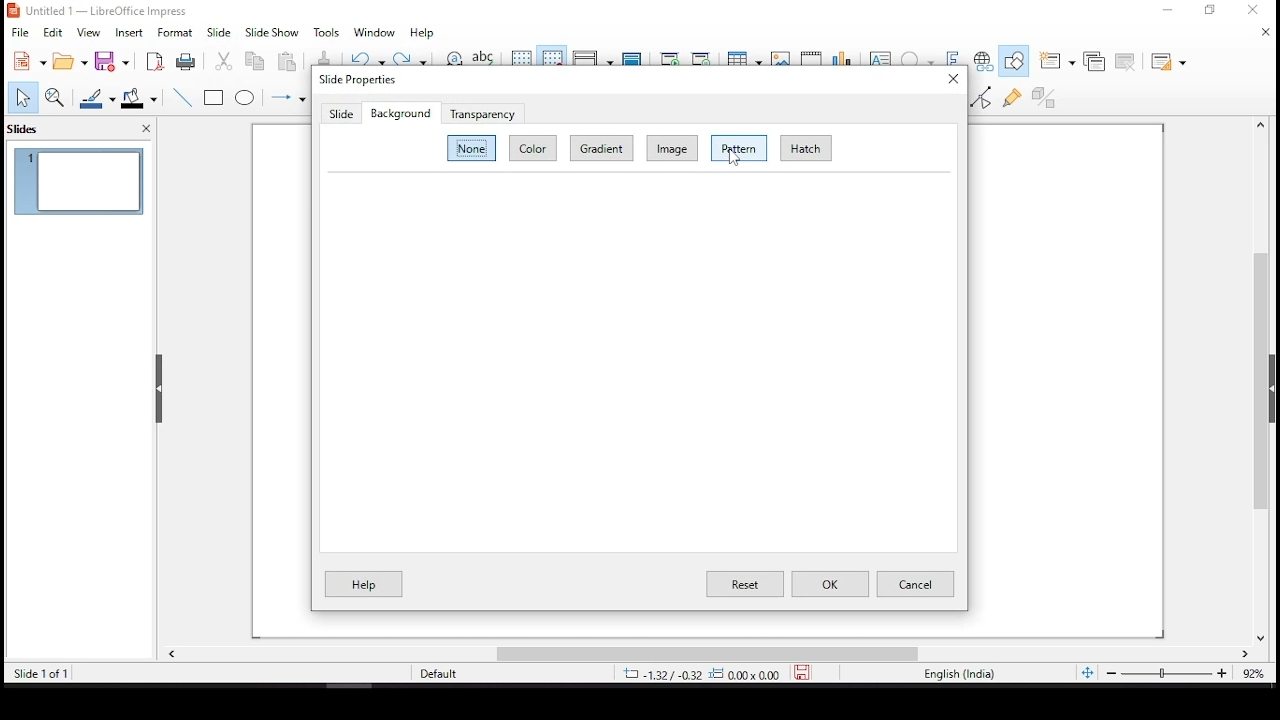 This screenshot has width=1280, height=720. I want to click on toggle point edit mode, so click(980, 98).